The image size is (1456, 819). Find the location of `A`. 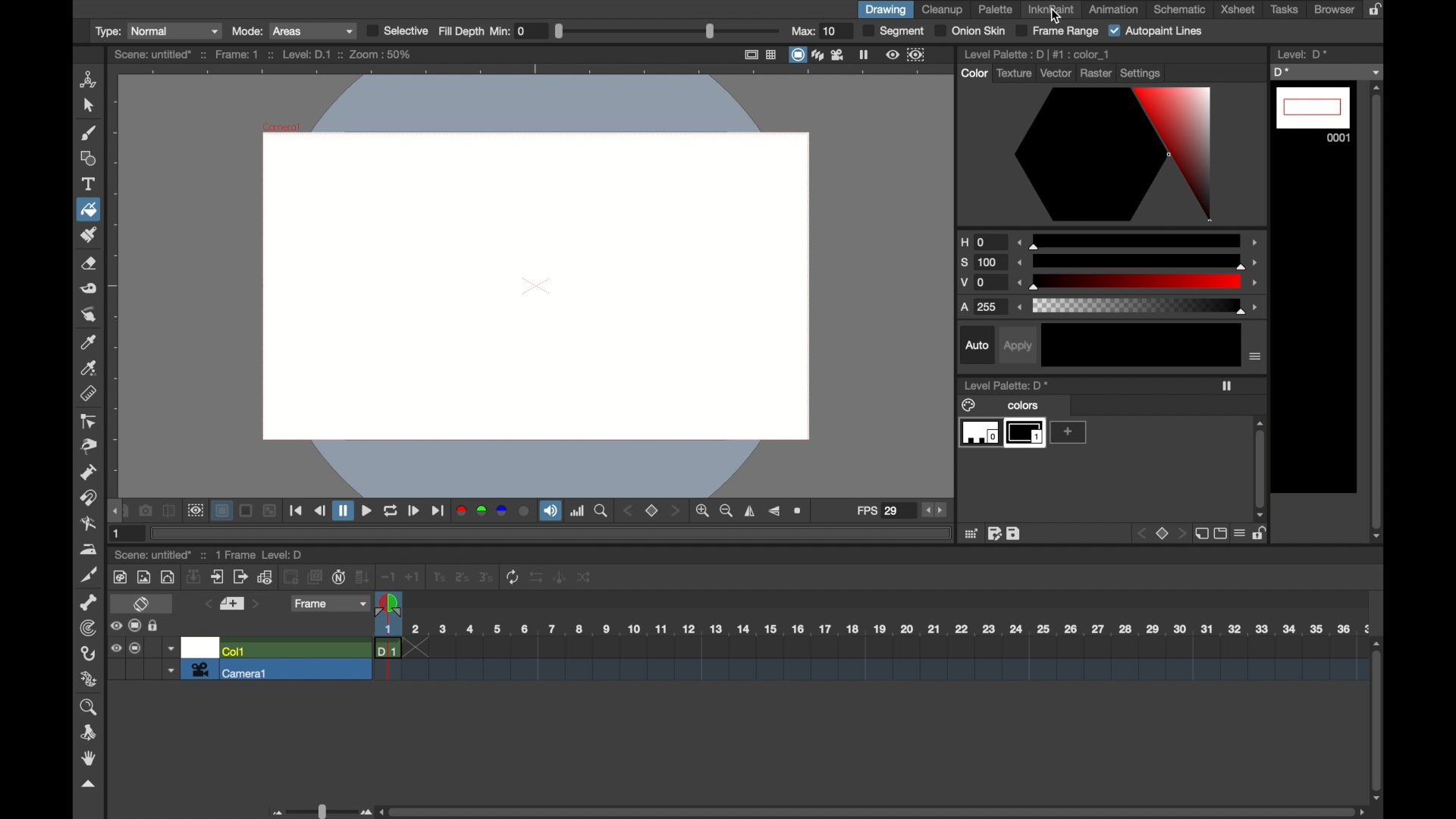

A is located at coordinates (982, 308).